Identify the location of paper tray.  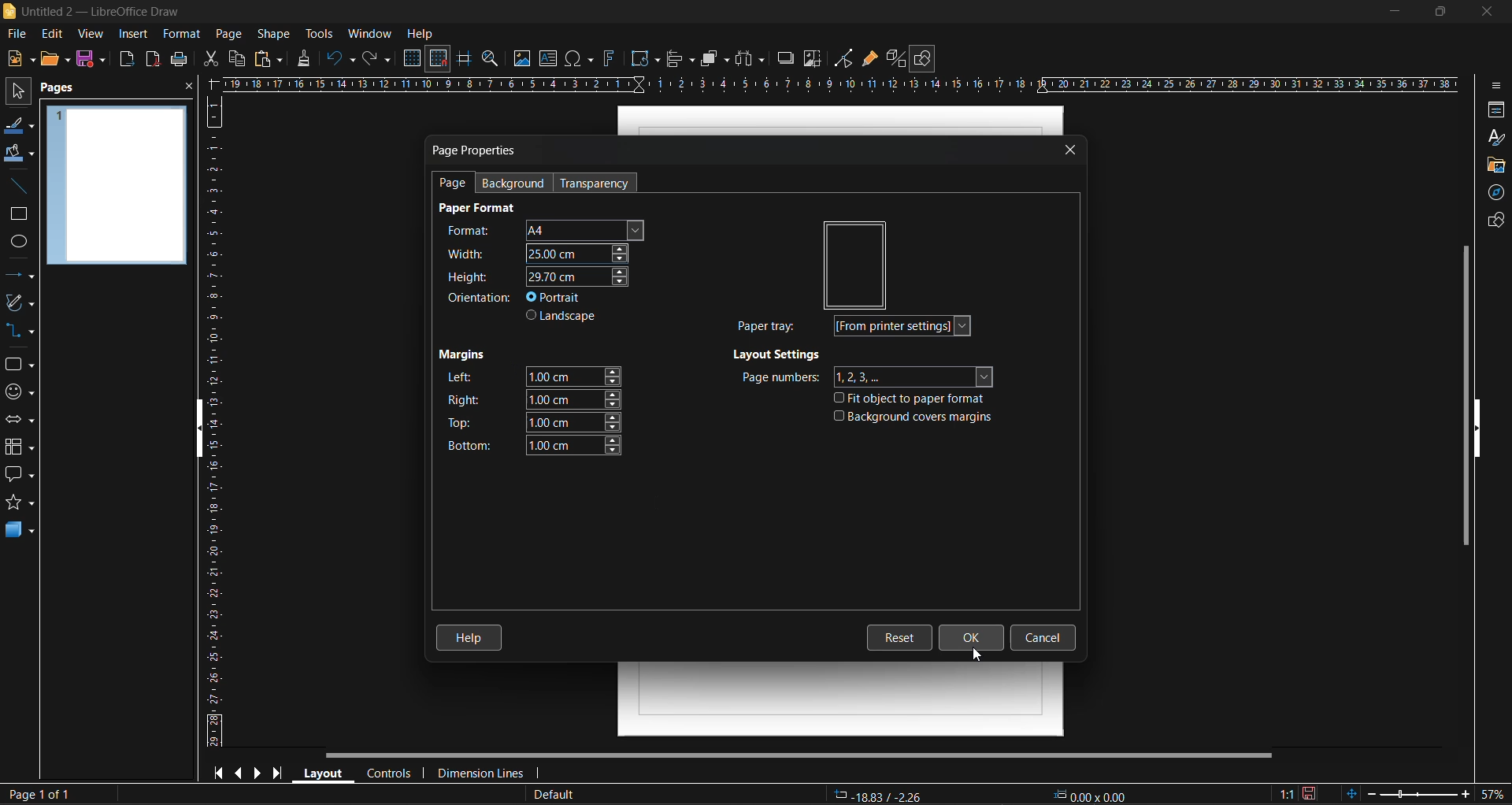
(860, 327).